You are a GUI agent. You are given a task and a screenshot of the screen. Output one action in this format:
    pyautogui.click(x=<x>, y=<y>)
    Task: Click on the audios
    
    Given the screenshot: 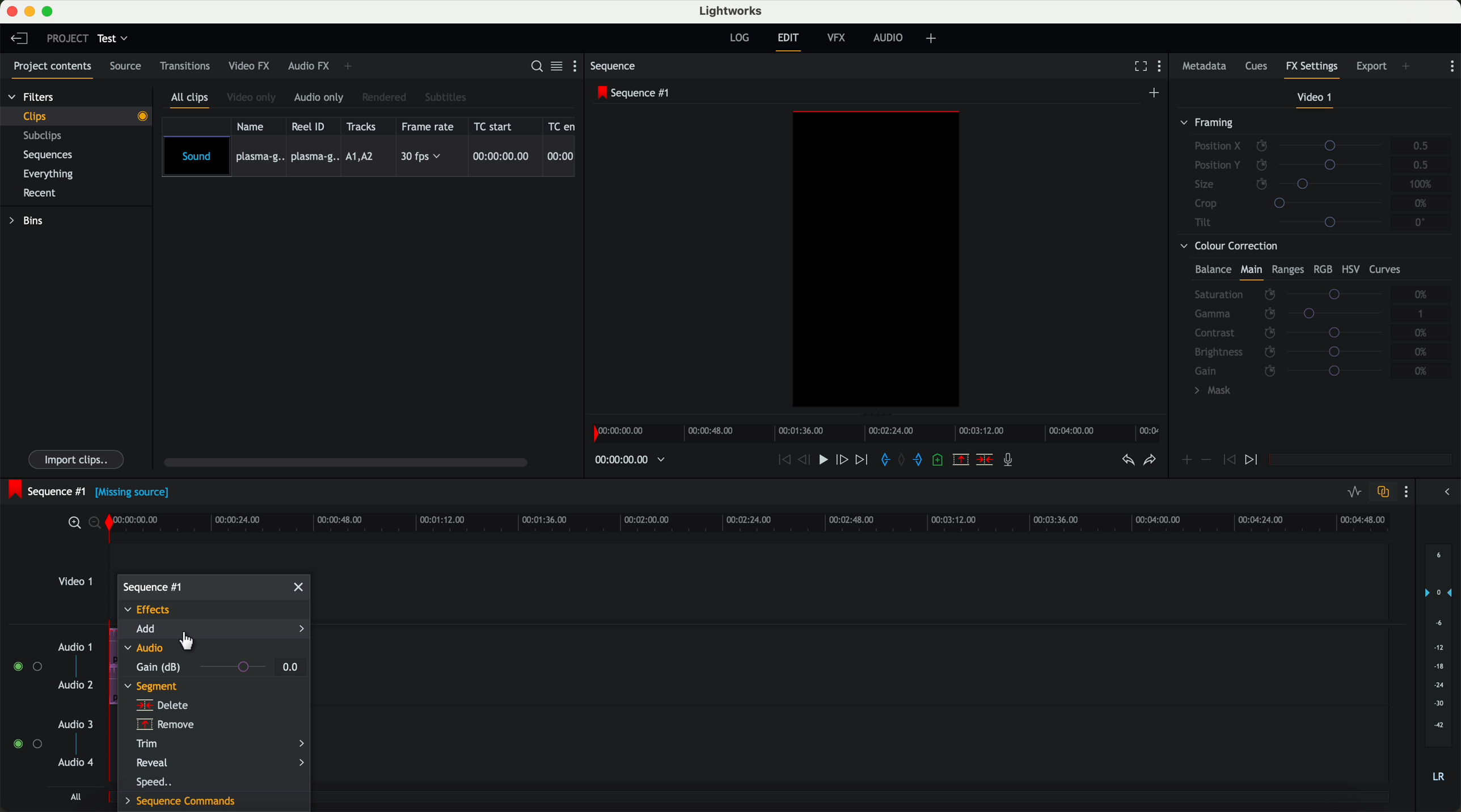 What is the action you would take?
    pyautogui.click(x=50, y=706)
    